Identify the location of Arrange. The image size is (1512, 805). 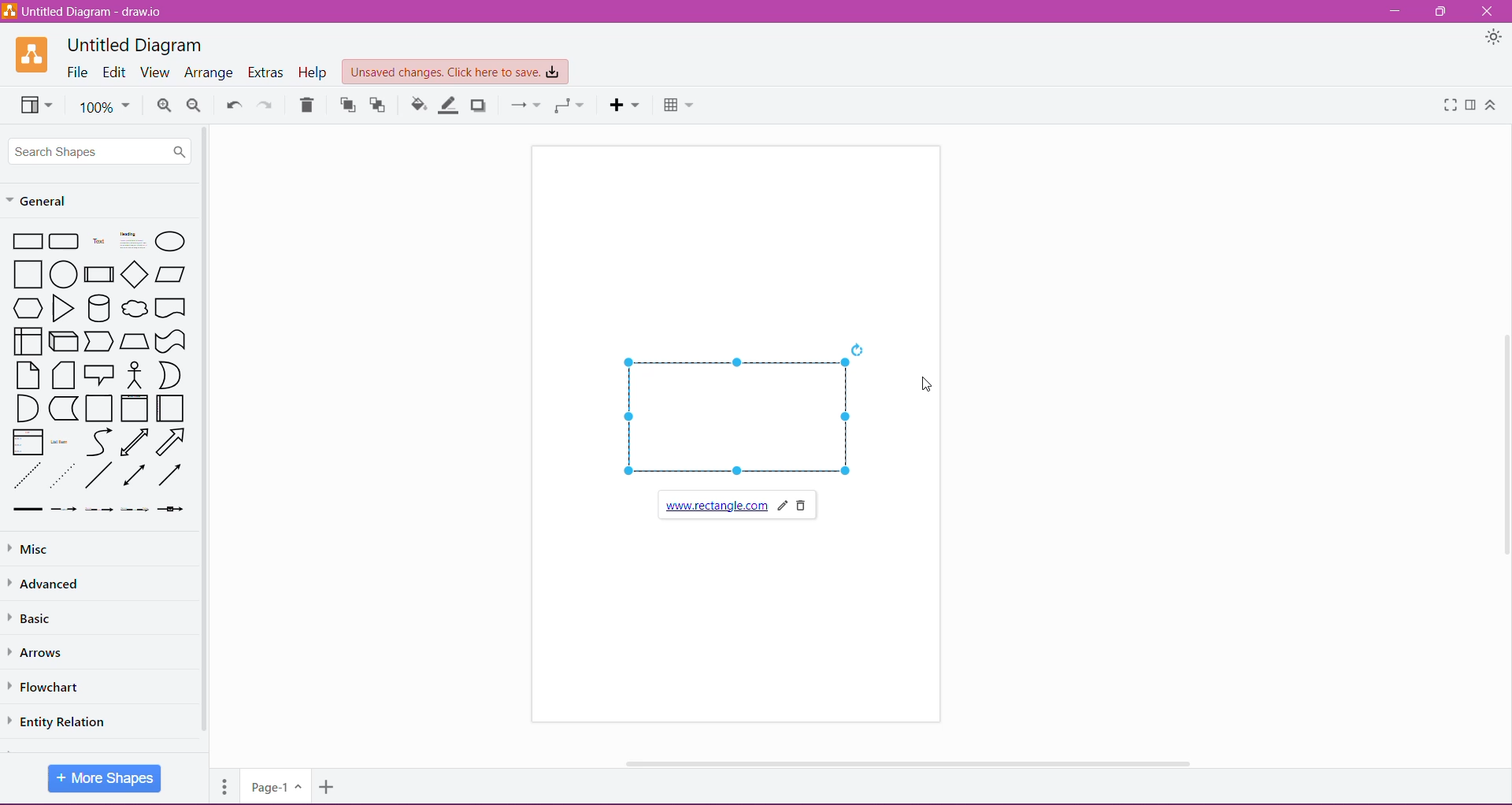
(209, 73).